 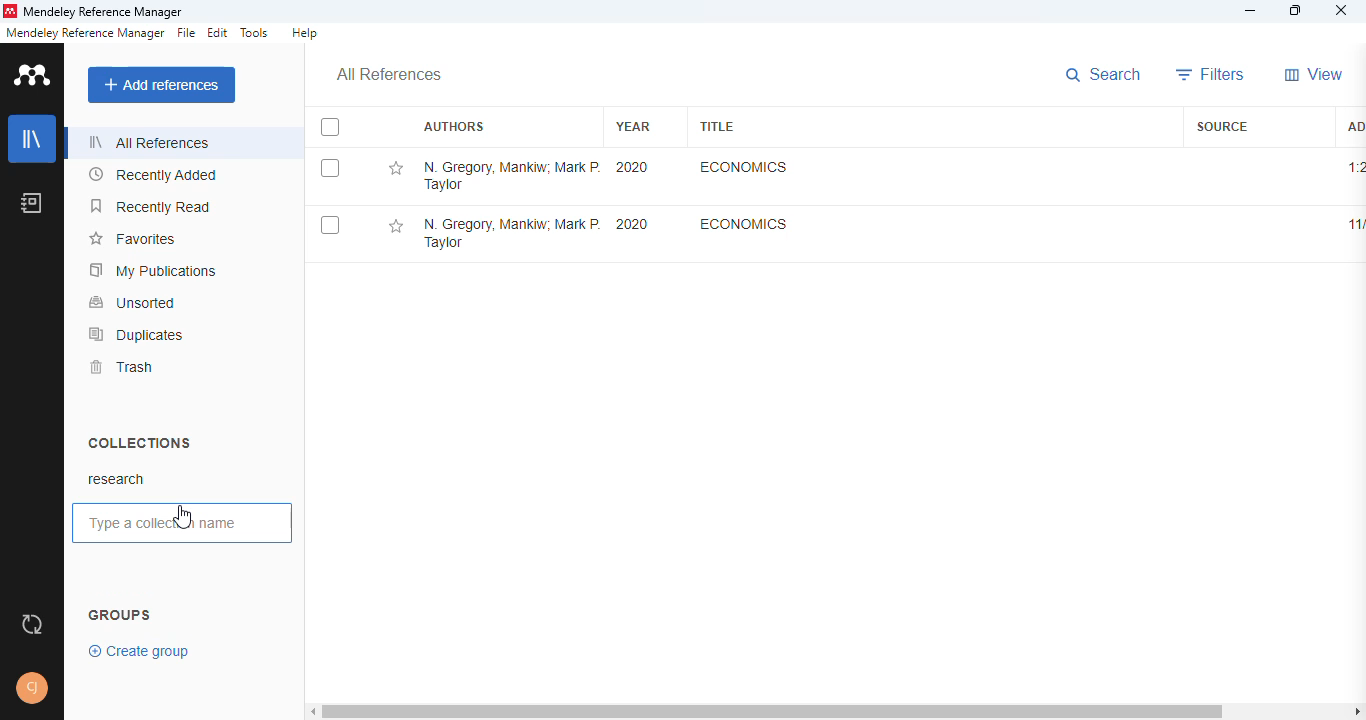 What do you see at coordinates (181, 518) in the screenshot?
I see `cursor` at bounding box center [181, 518].